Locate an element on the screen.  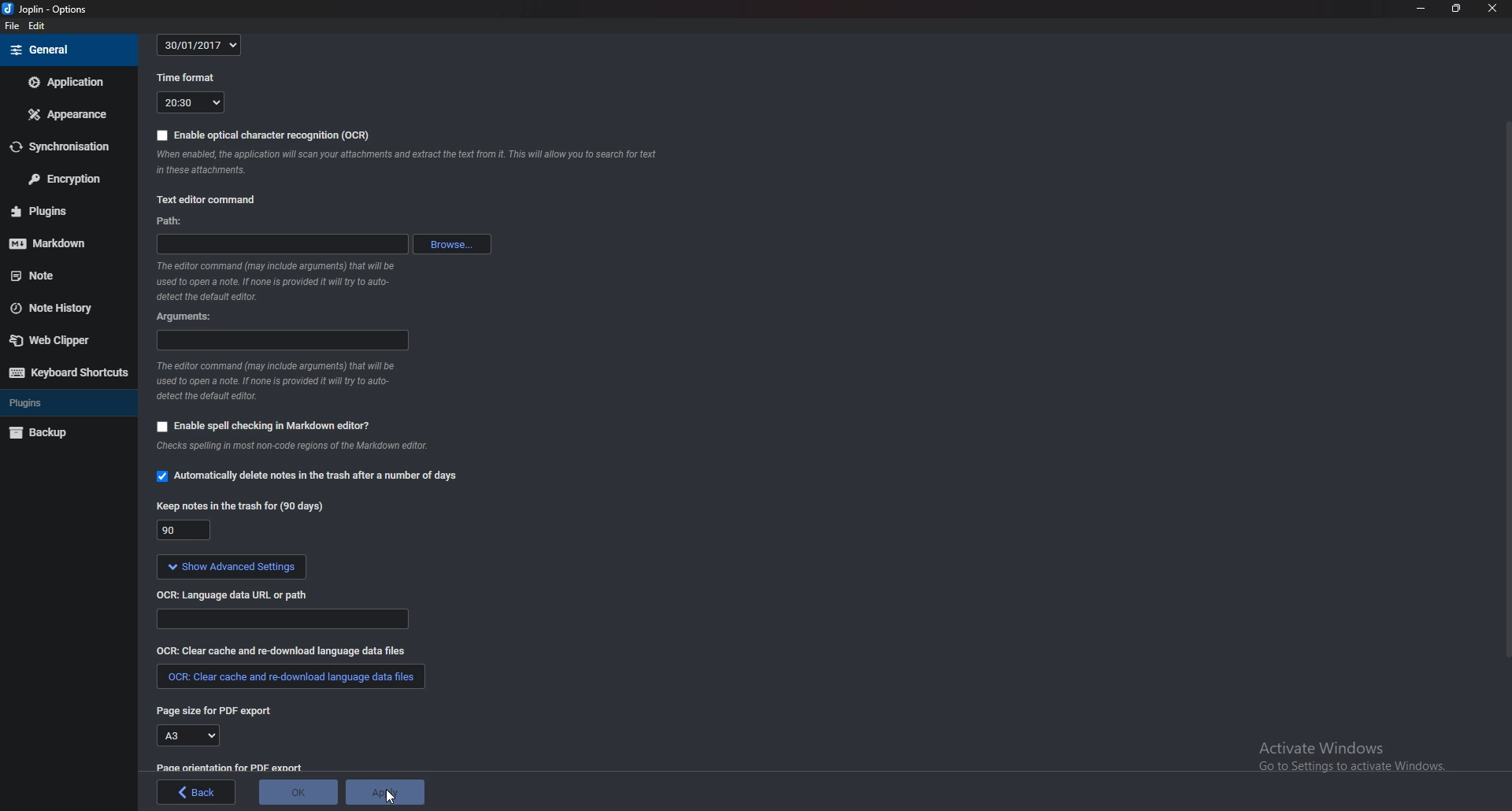
Info on ocr is located at coordinates (409, 165).